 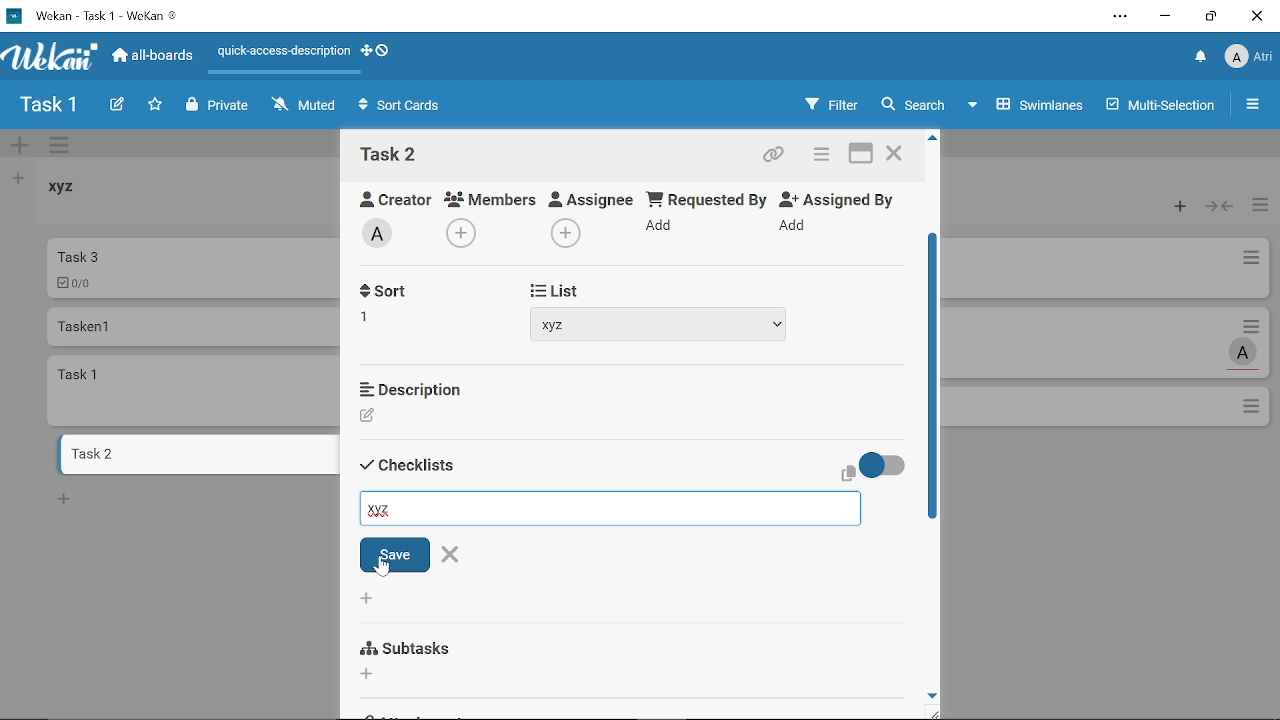 What do you see at coordinates (464, 231) in the screenshot?
I see `Add` at bounding box center [464, 231].